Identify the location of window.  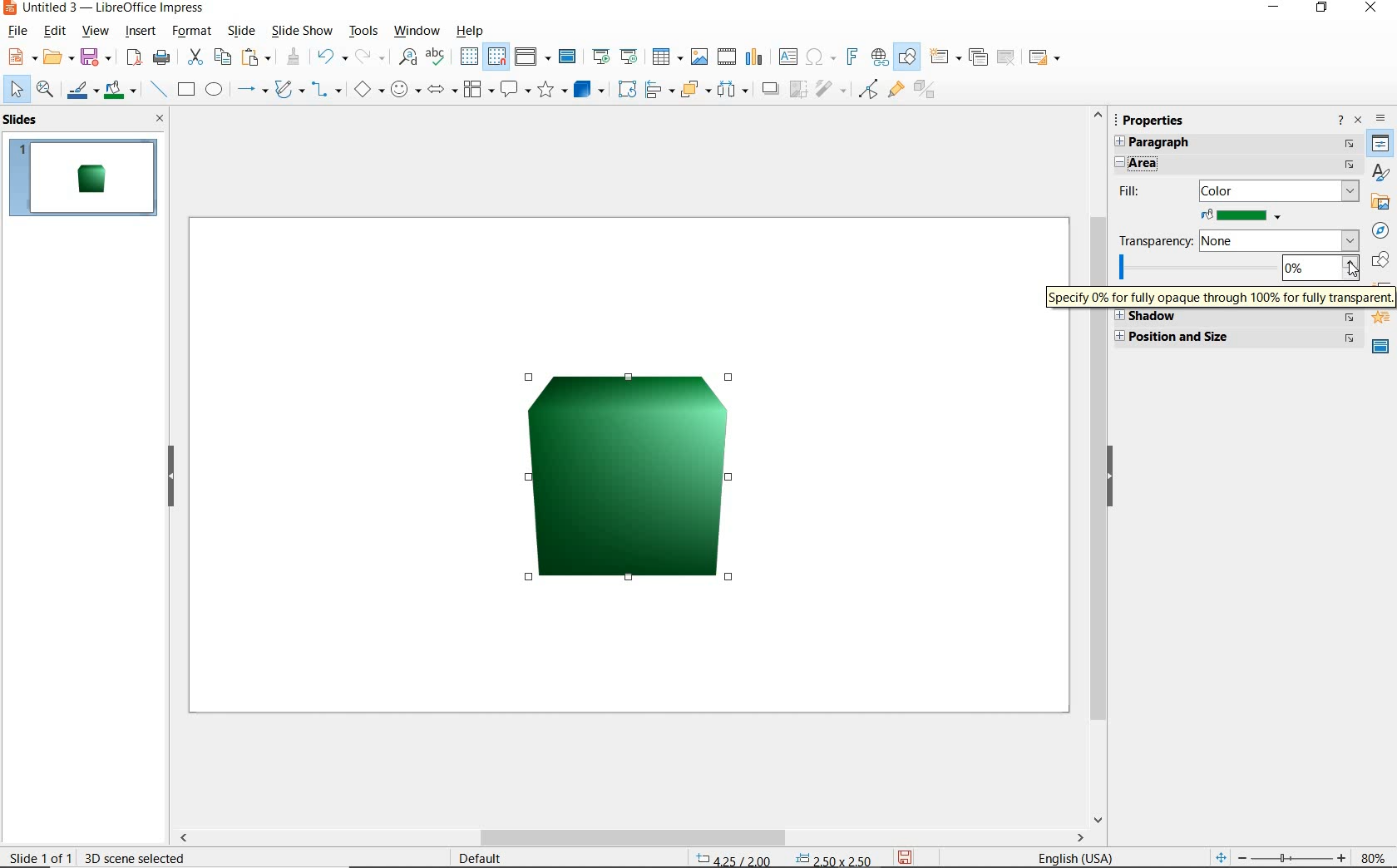
(417, 32).